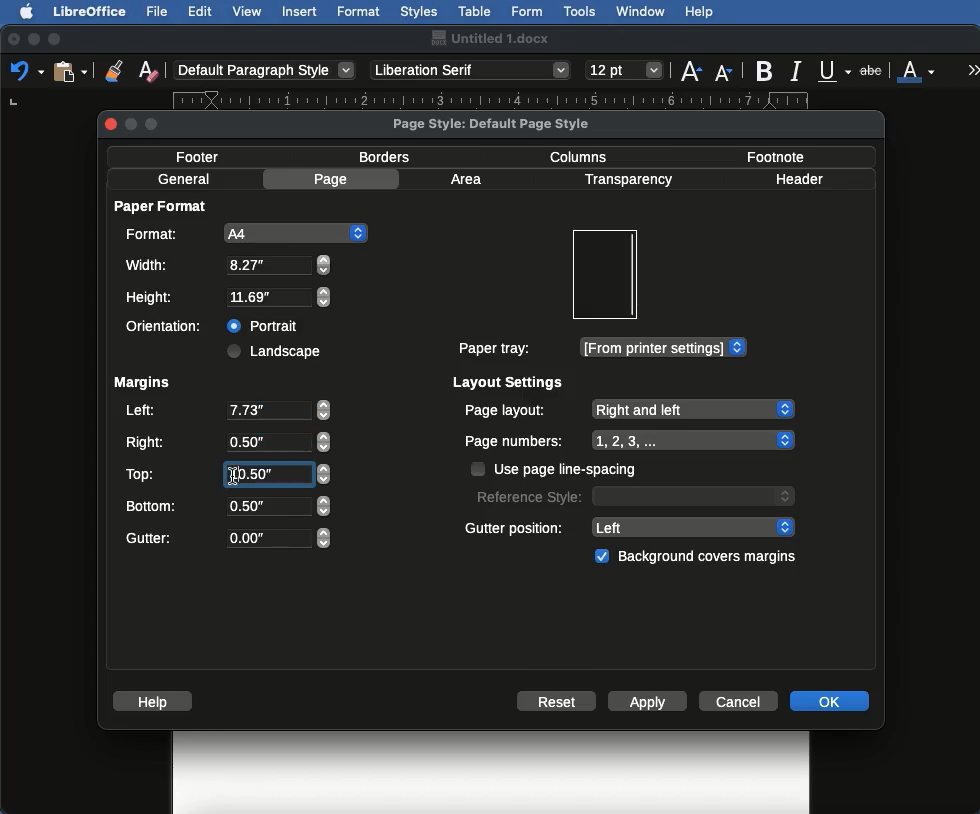 The height and width of the screenshot is (814, 980). I want to click on Reset, so click(557, 703).